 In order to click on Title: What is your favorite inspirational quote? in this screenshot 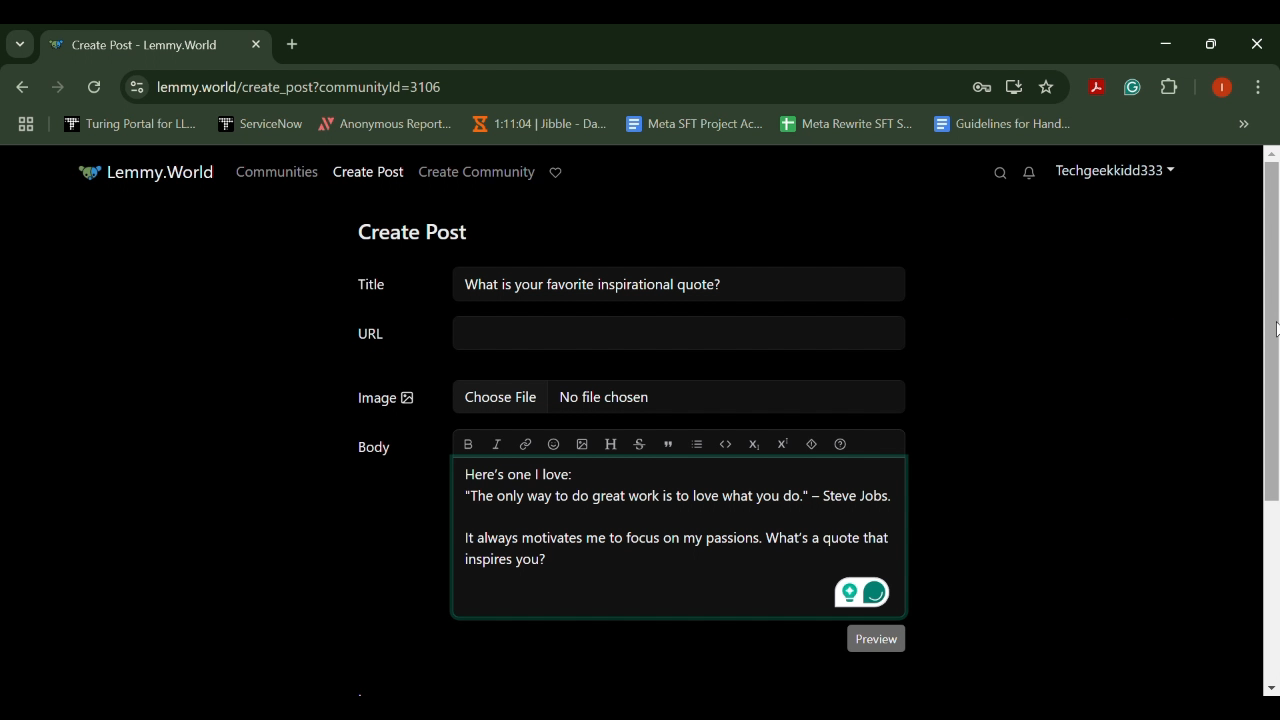, I will do `click(626, 282)`.